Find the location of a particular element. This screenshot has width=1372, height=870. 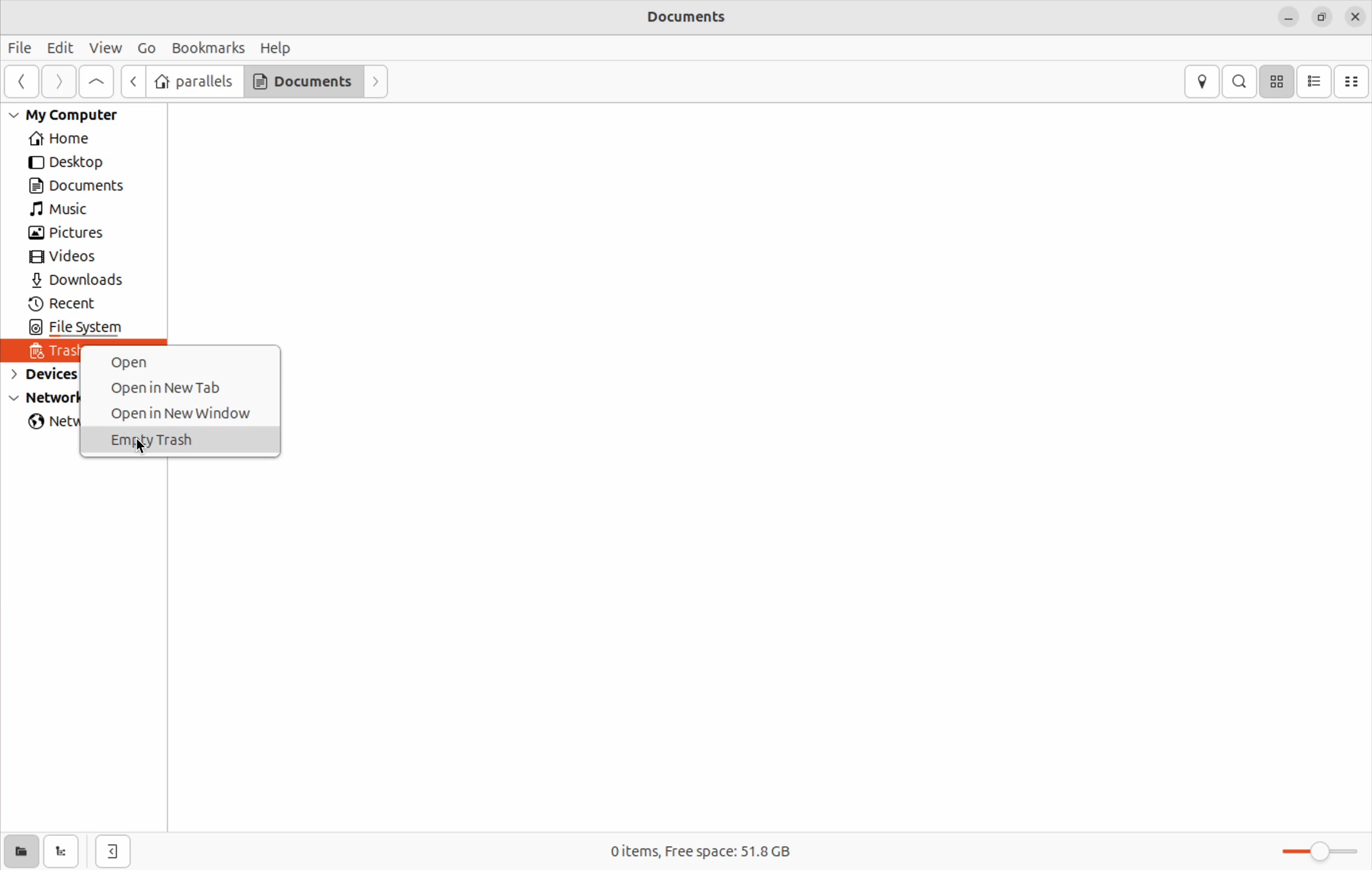

Empty is located at coordinates (191, 442).